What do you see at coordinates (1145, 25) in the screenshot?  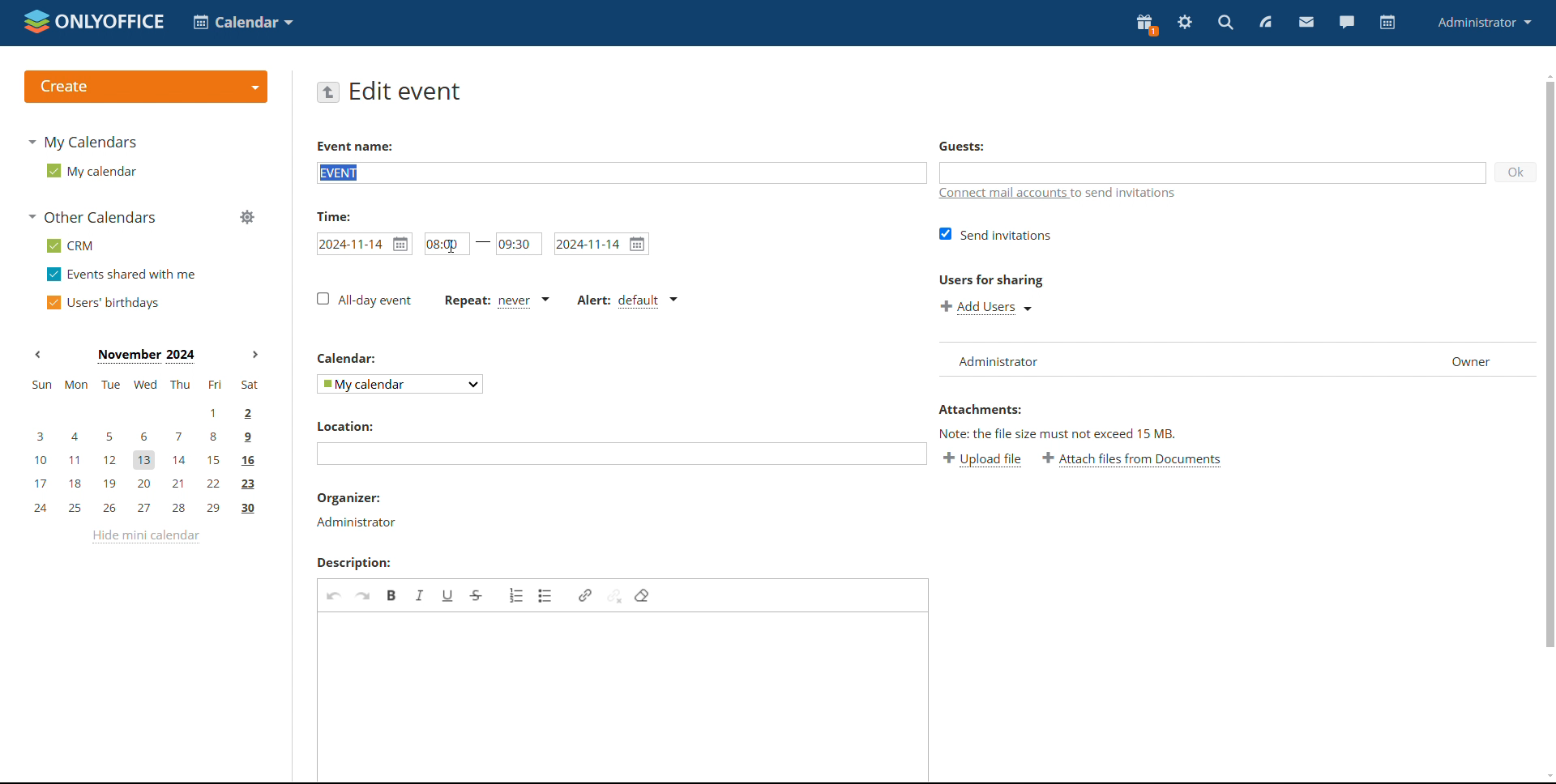 I see `present` at bounding box center [1145, 25].